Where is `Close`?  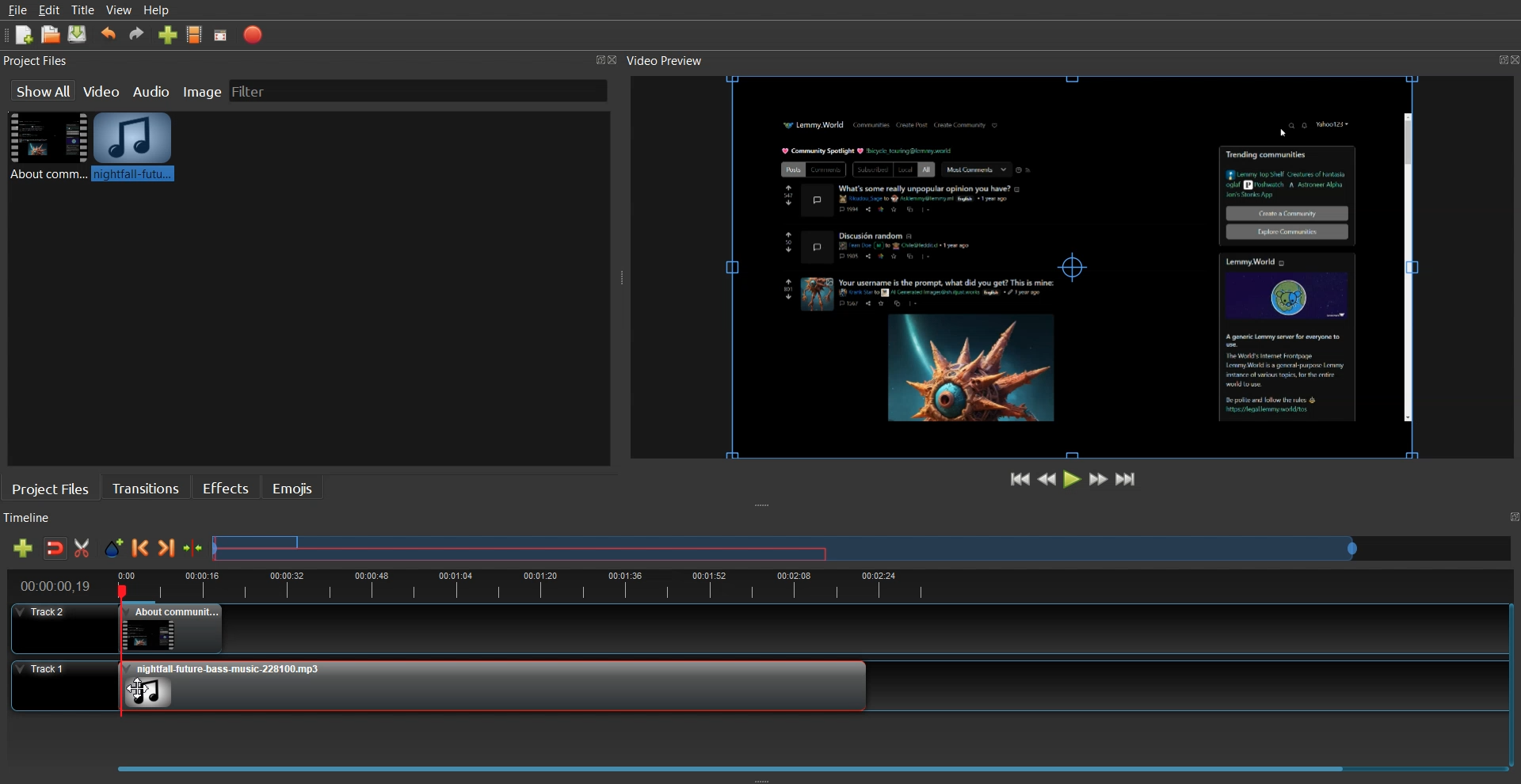
Close is located at coordinates (617, 61).